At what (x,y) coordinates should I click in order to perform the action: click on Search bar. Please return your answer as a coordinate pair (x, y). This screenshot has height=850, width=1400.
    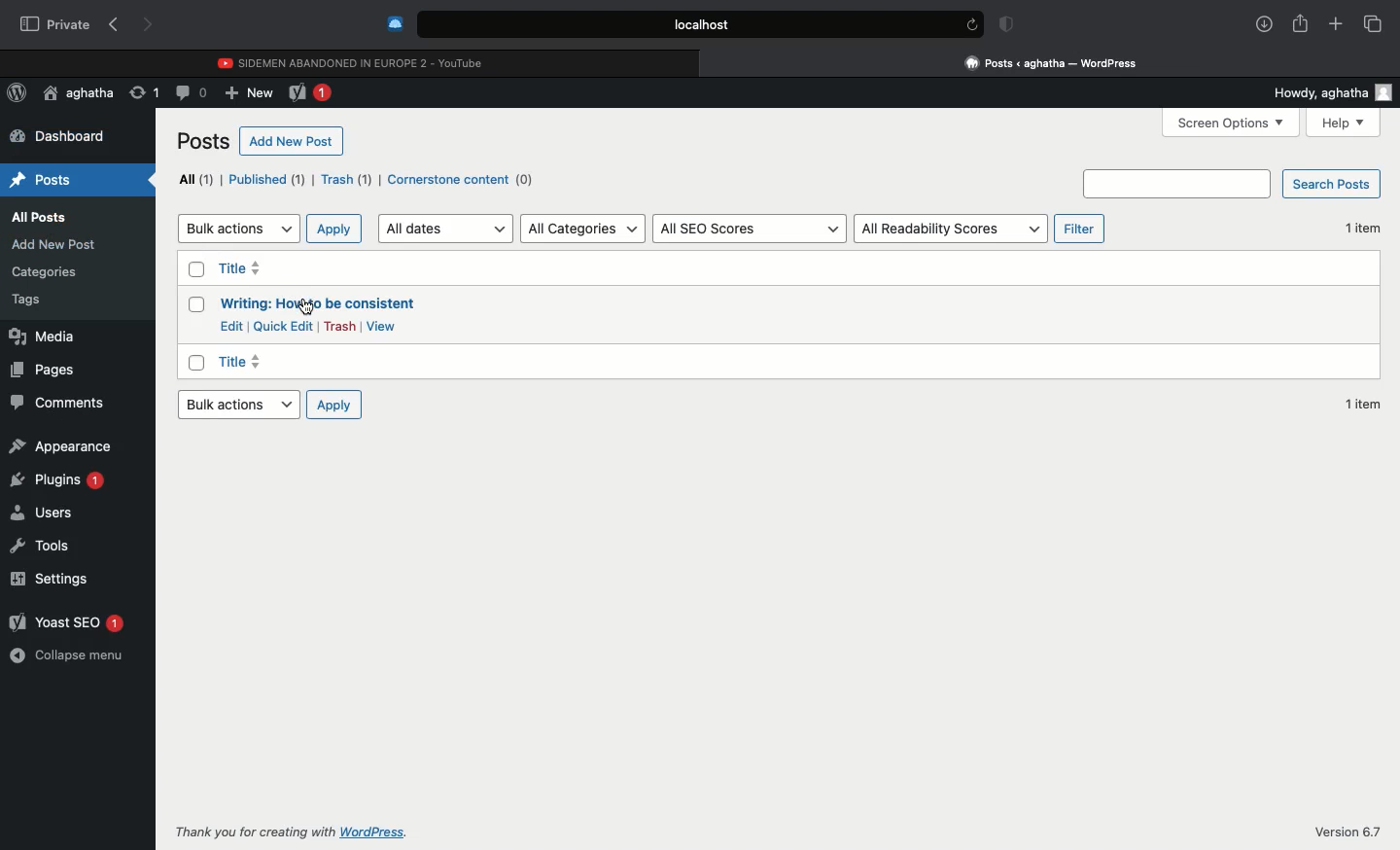
    Looking at the image, I should click on (682, 24).